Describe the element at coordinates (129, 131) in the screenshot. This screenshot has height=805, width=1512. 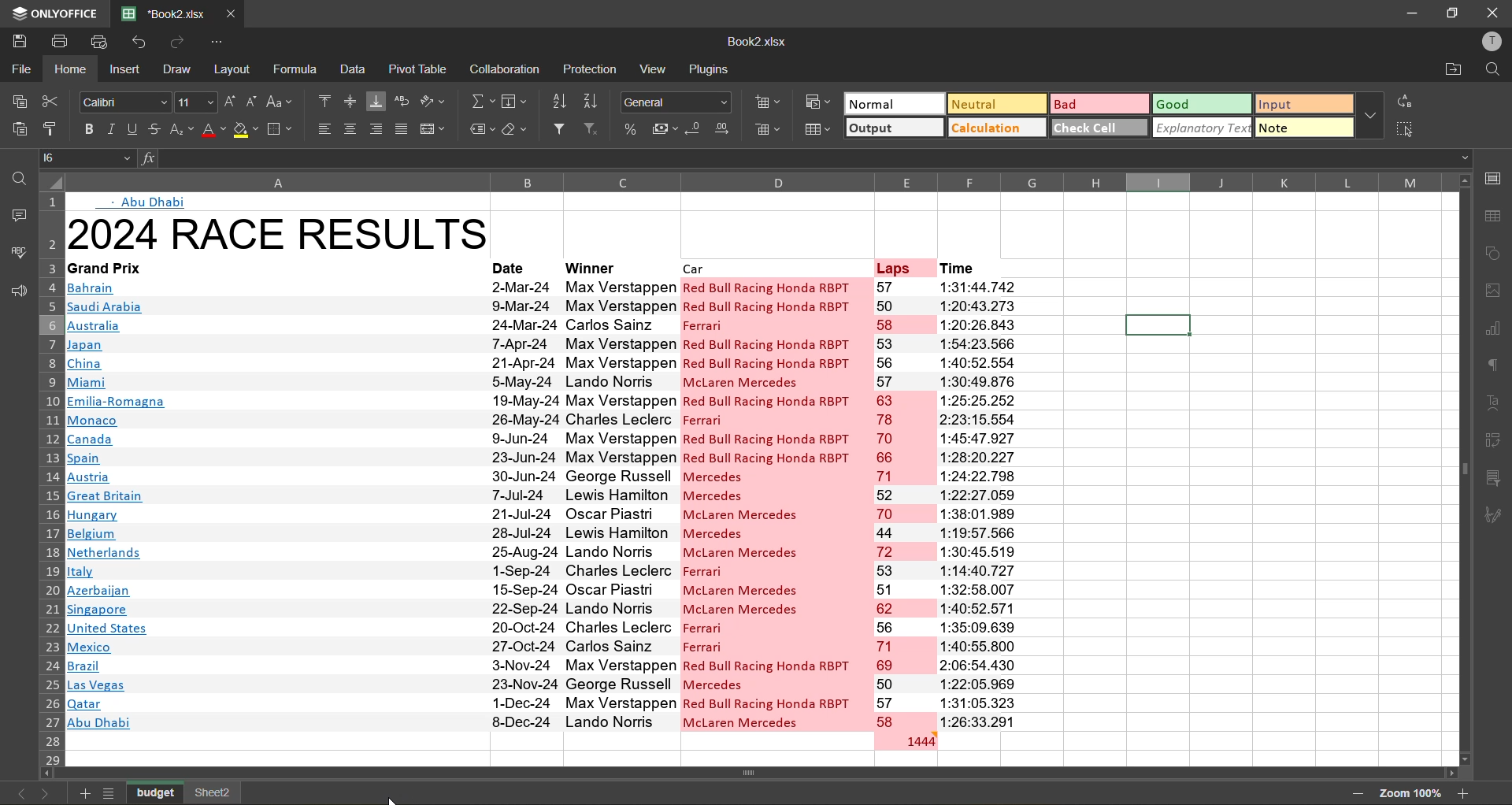
I see `underline` at that location.